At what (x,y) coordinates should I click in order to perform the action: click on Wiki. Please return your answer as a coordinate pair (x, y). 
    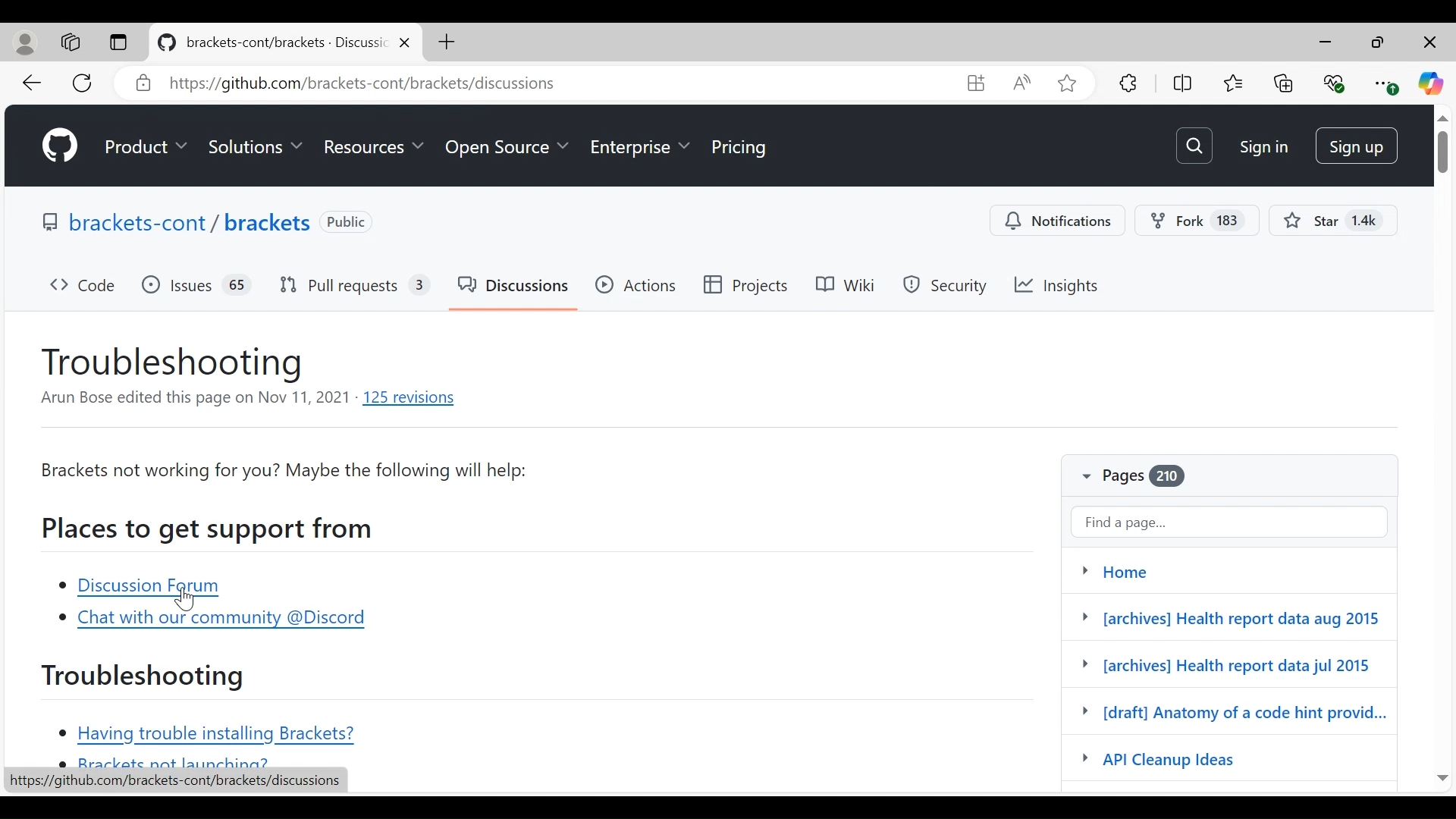
    Looking at the image, I should click on (849, 285).